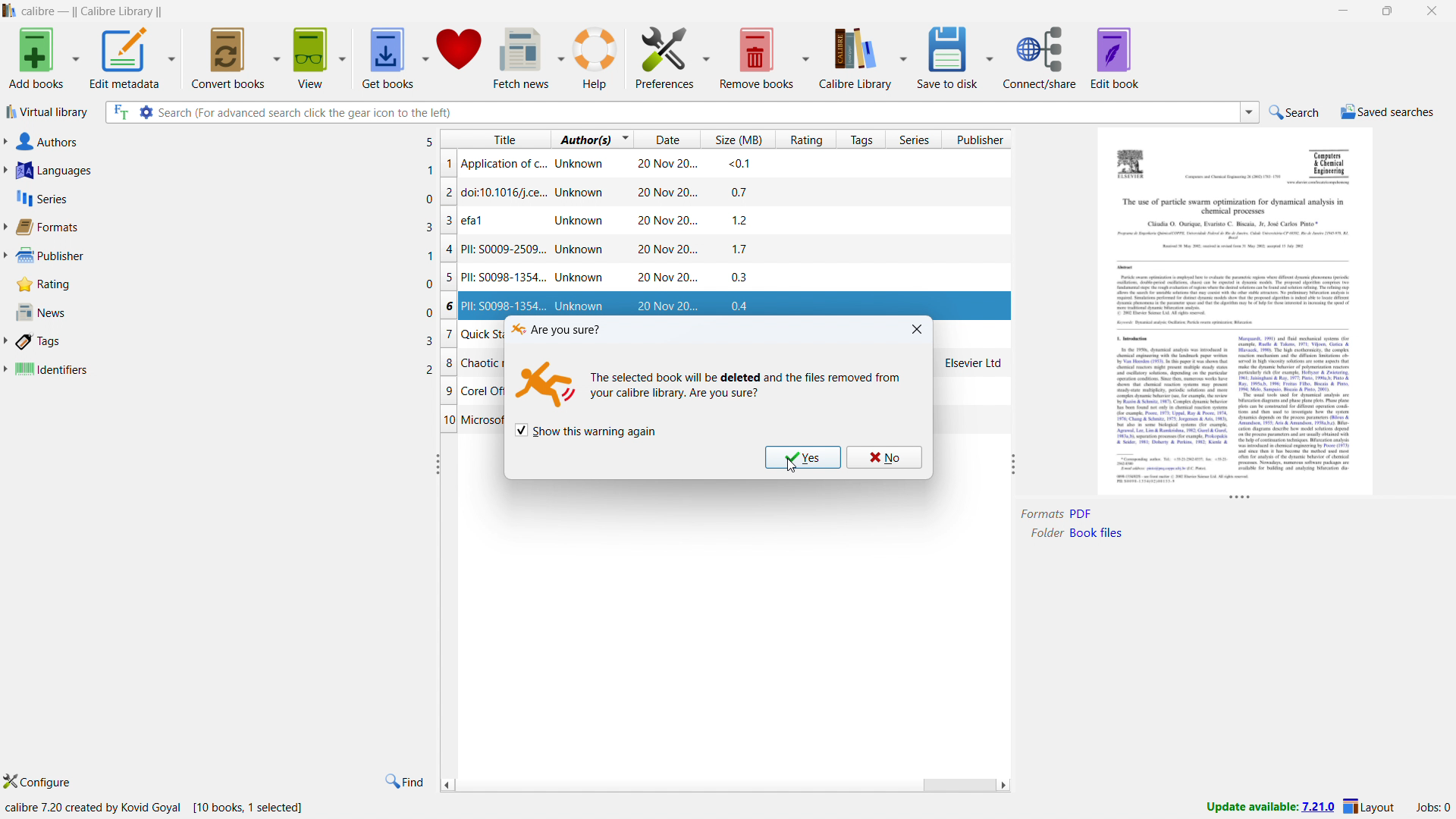 The width and height of the screenshot is (1456, 819). I want to click on connect/share, so click(1041, 57).